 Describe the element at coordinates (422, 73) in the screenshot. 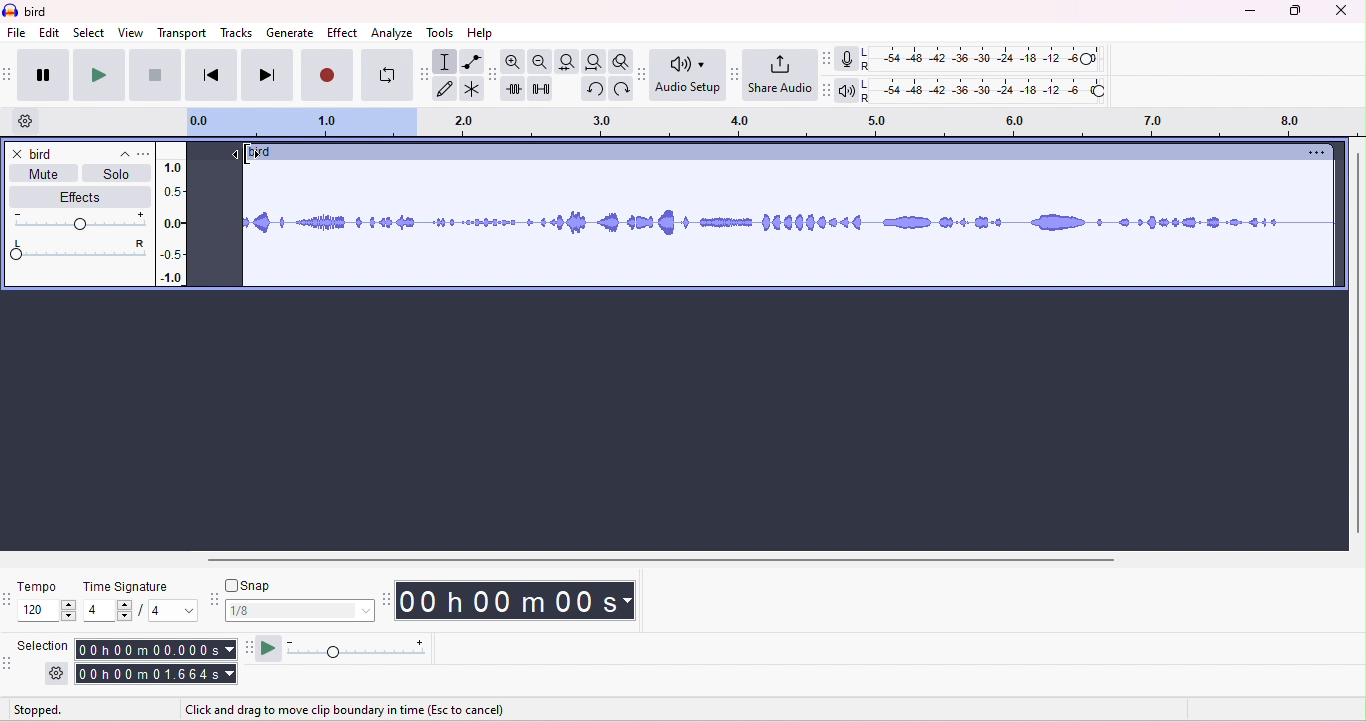

I see `tools tool bar` at that location.